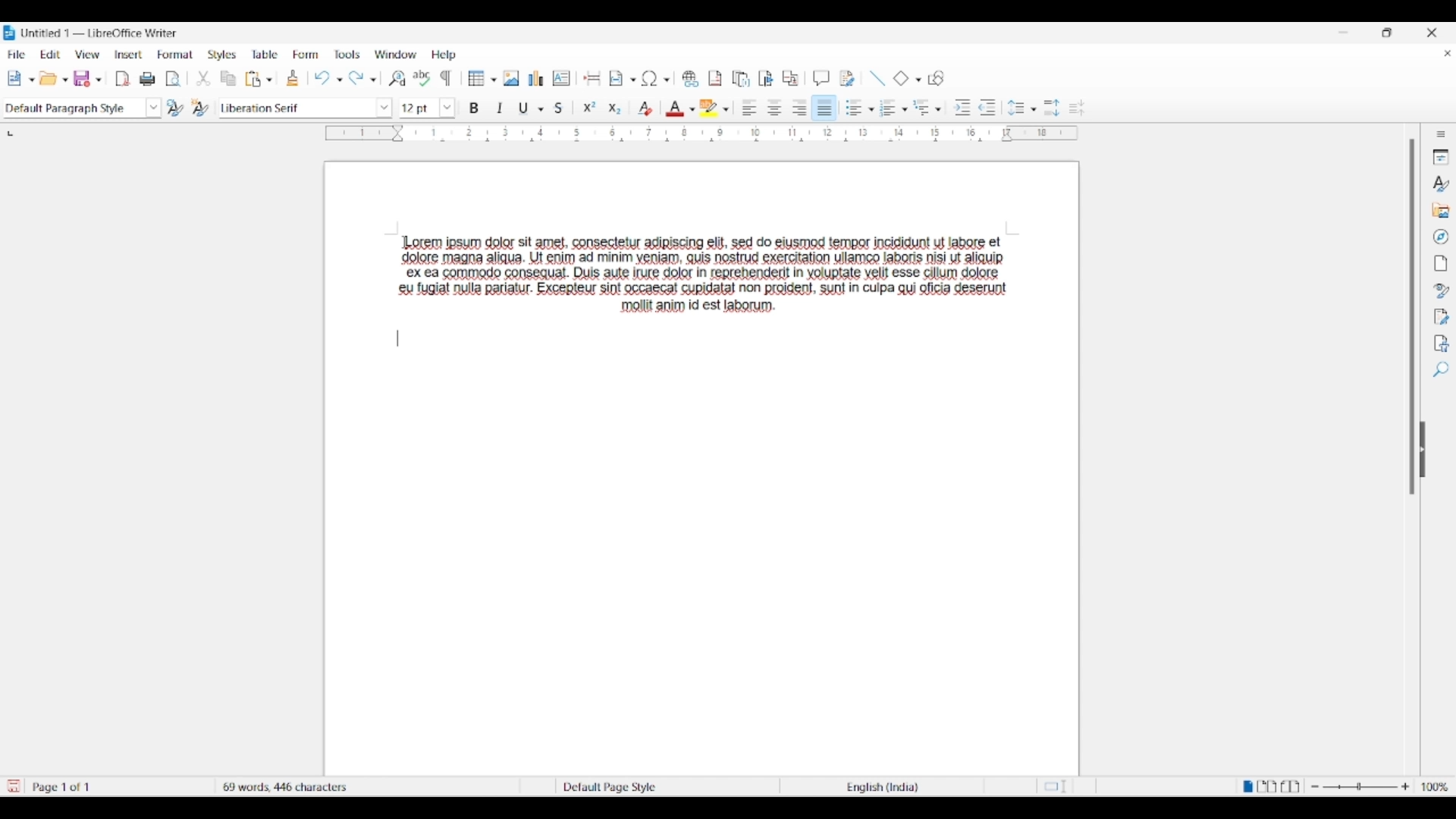 Image resolution: width=1456 pixels, height=819 pixels. What do you see at coordinates (848, 79) in the screenshot?
I see `Show track changes functions` at bounding box center [848, 79].